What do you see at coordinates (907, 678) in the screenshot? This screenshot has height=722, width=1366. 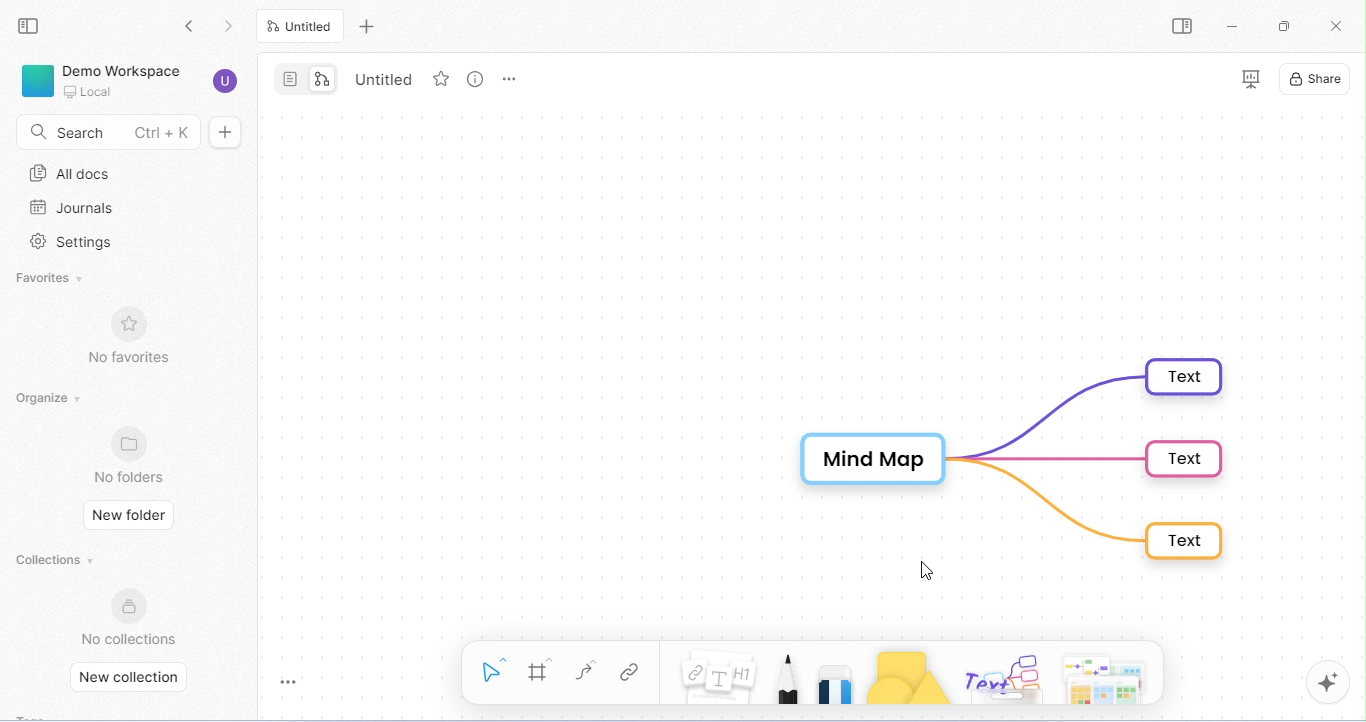 I see `shapes` at bounding box center [907, 678].